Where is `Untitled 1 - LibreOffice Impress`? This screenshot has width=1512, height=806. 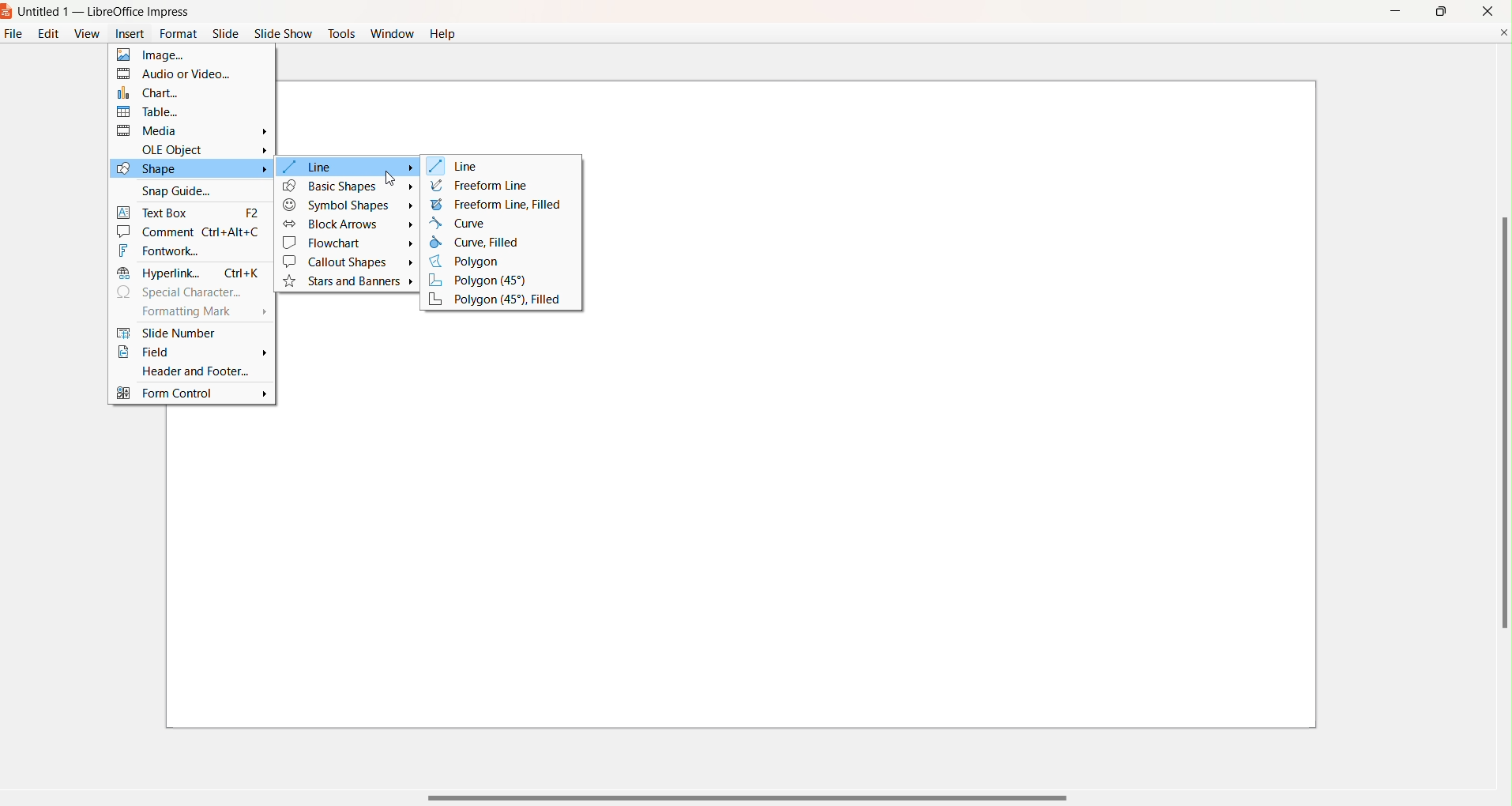
Untitled 1 - LibreOffice Impress is located at coordinates (106, 13).